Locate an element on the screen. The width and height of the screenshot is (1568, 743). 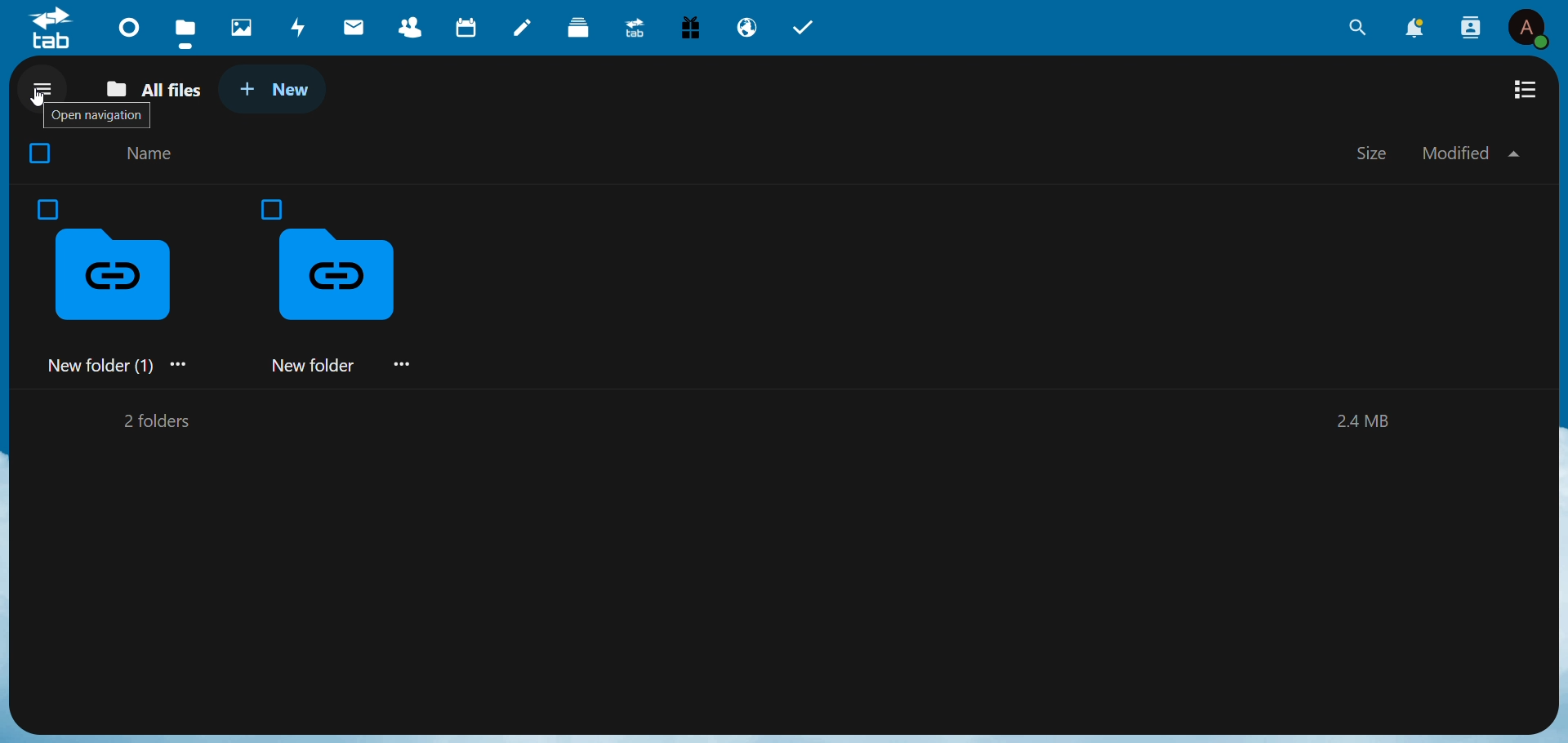
upgrade is located at coordinates (633, 29).